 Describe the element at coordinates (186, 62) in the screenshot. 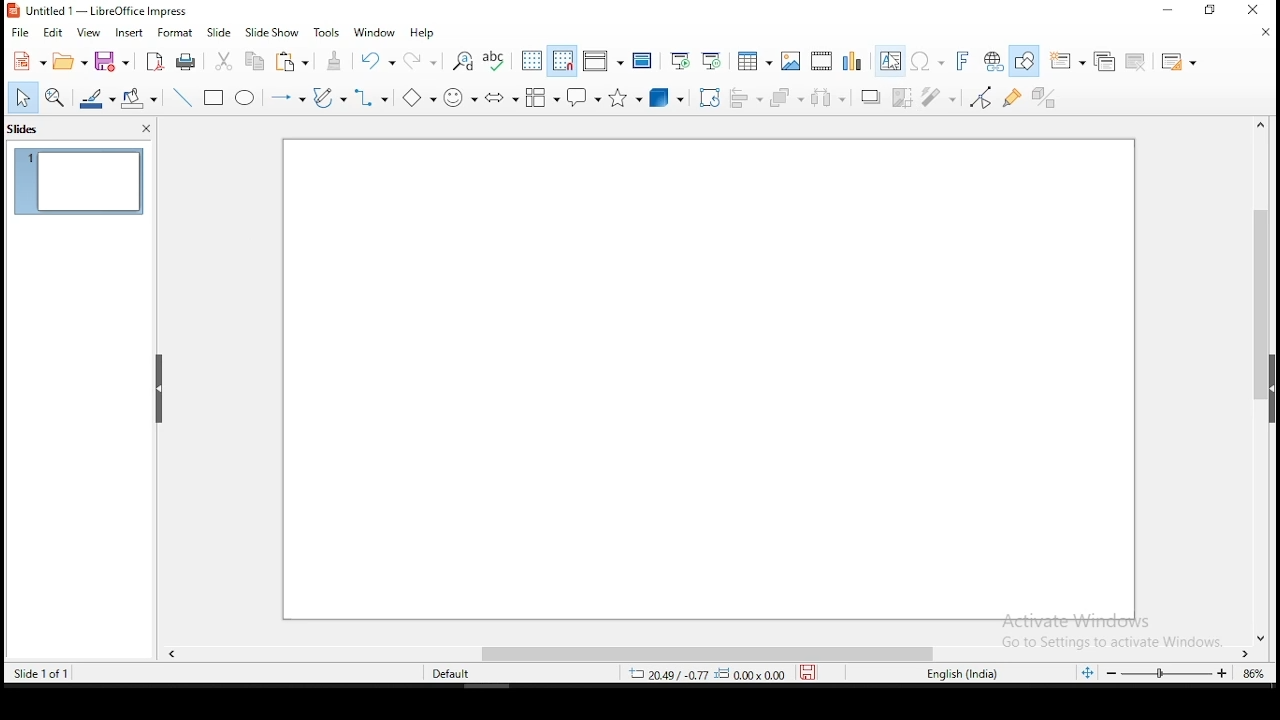

I see `print` at that location.